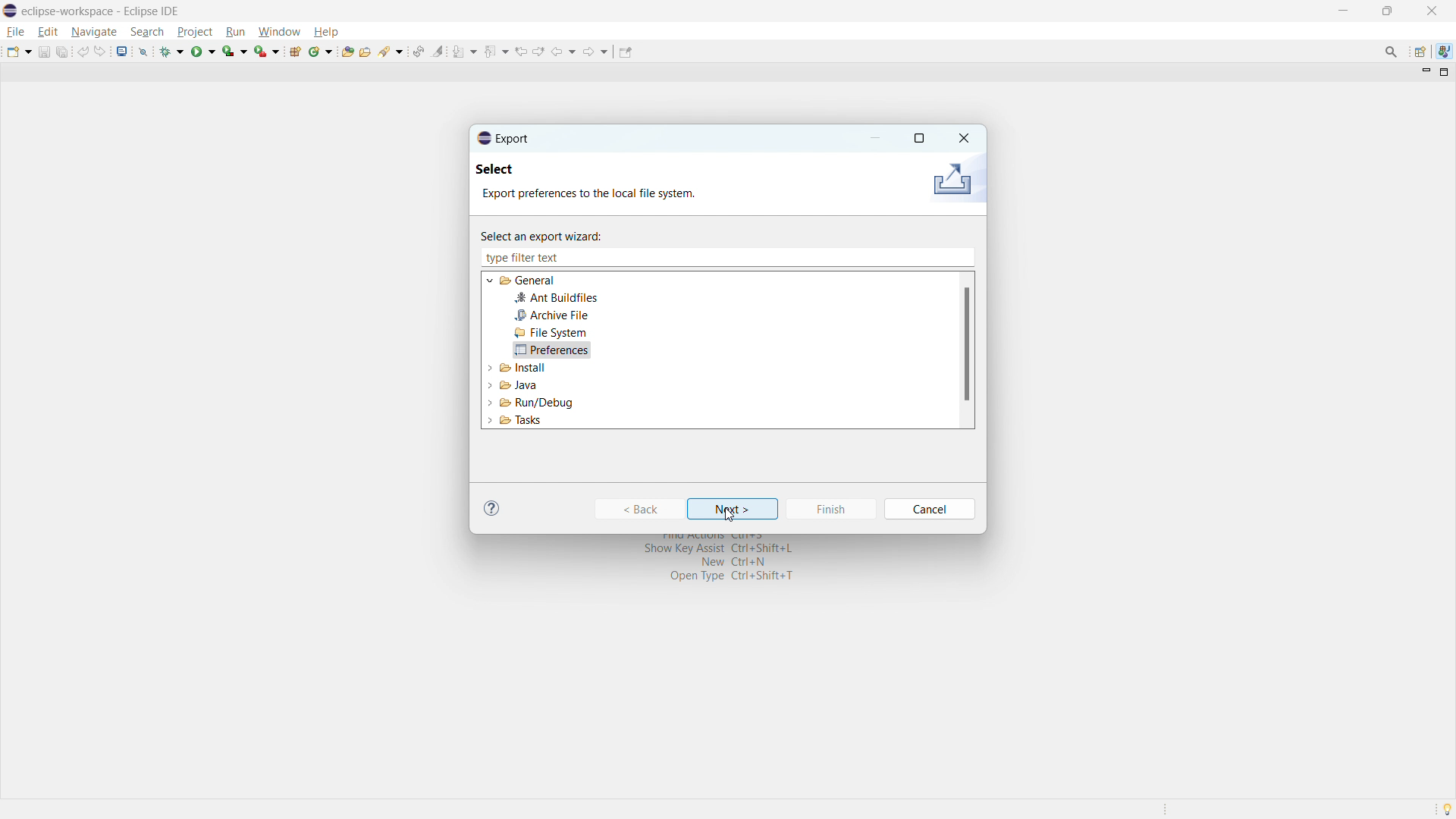 The height and width of the screenshot is (819, 1456). I want to click on minimize, so click(1341, 10).